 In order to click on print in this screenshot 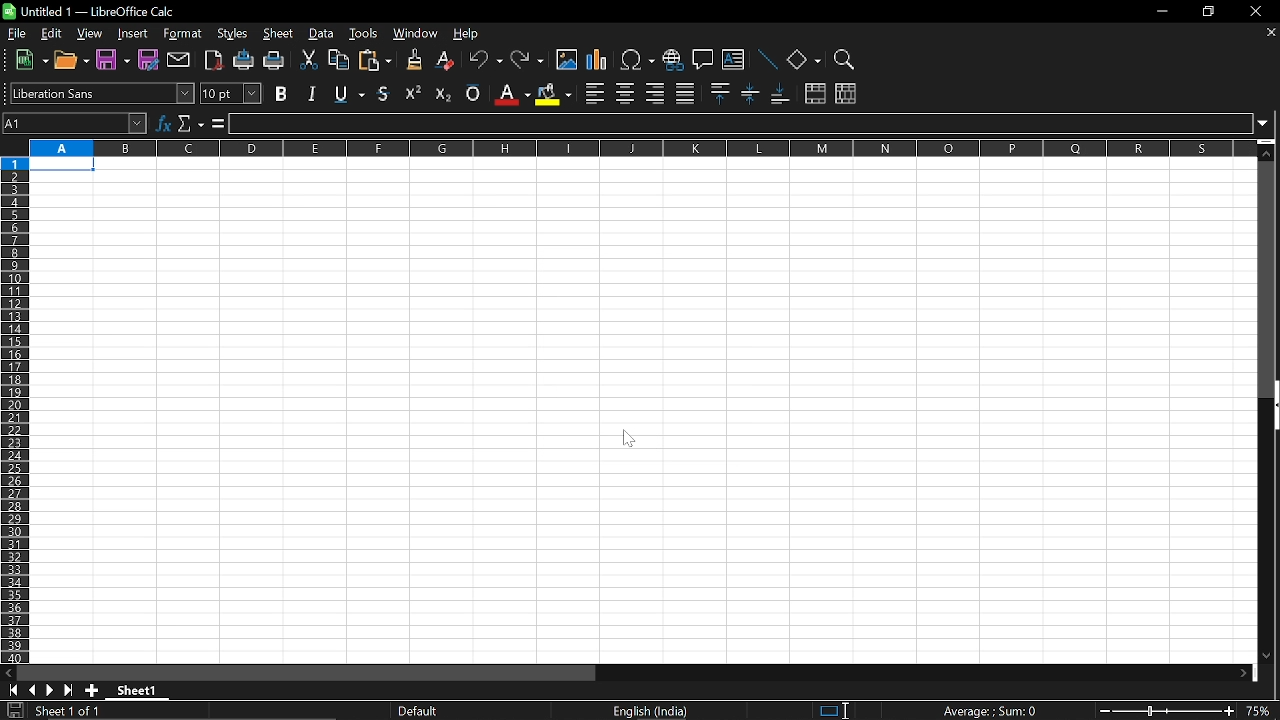, I will do `click(274, 62)`.